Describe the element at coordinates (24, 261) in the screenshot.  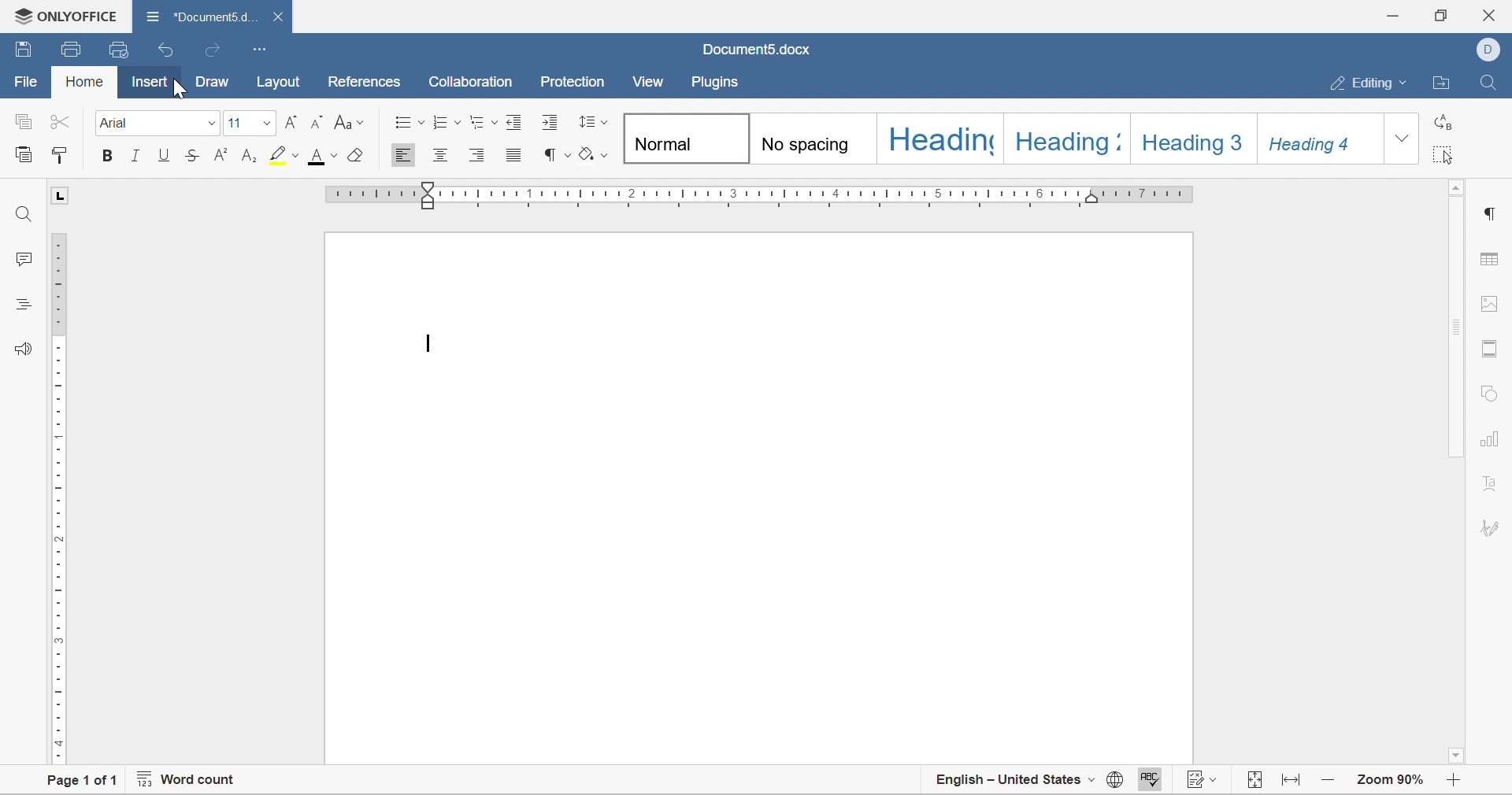
I see `comments` at that location.